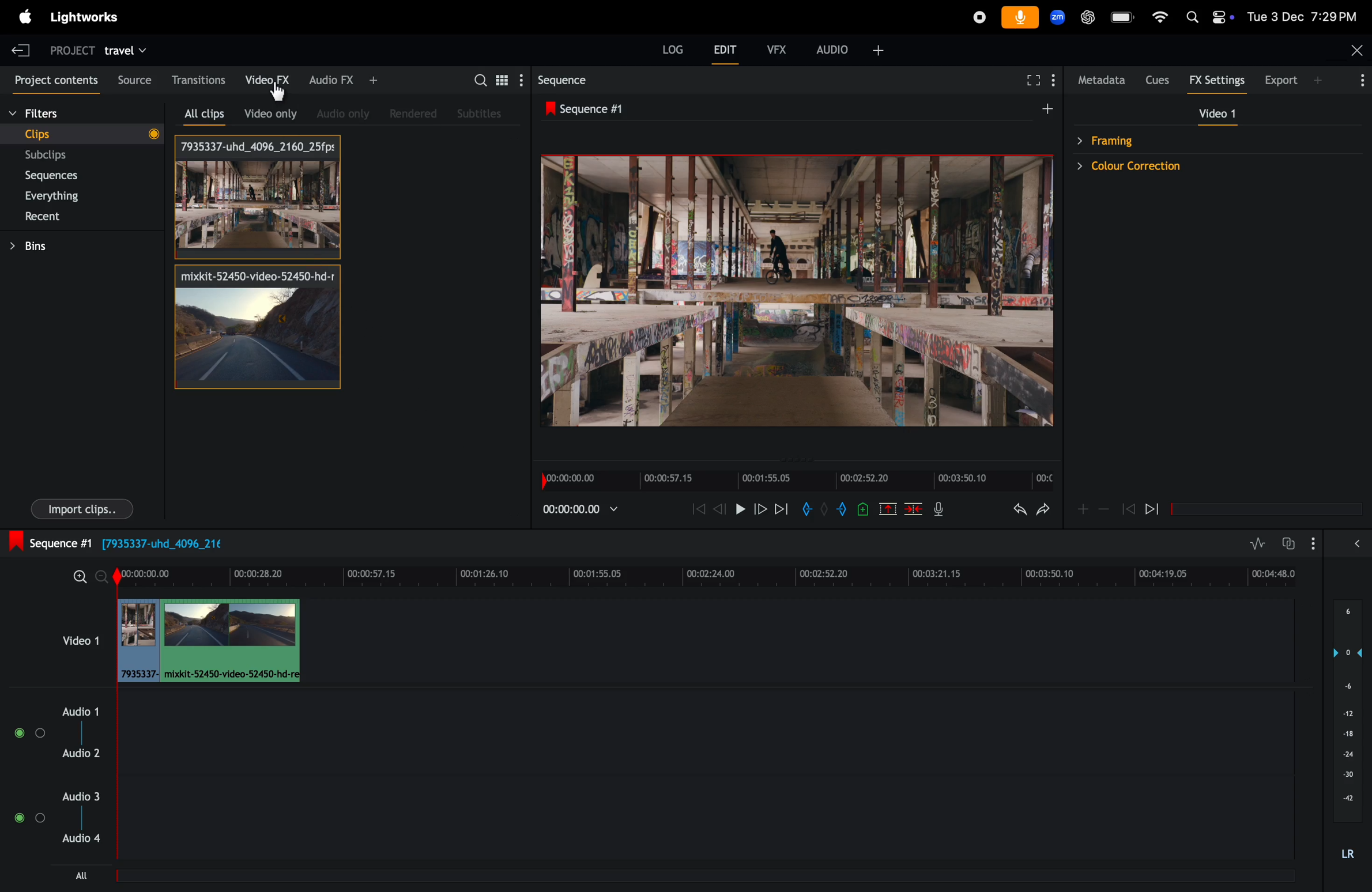 Image resolution: width=1372 pixels, height=892 pixels. What do you see at coordinates (1021, 18) in the screenshot?
I see `microphone` at bounding box center [1021, 18].